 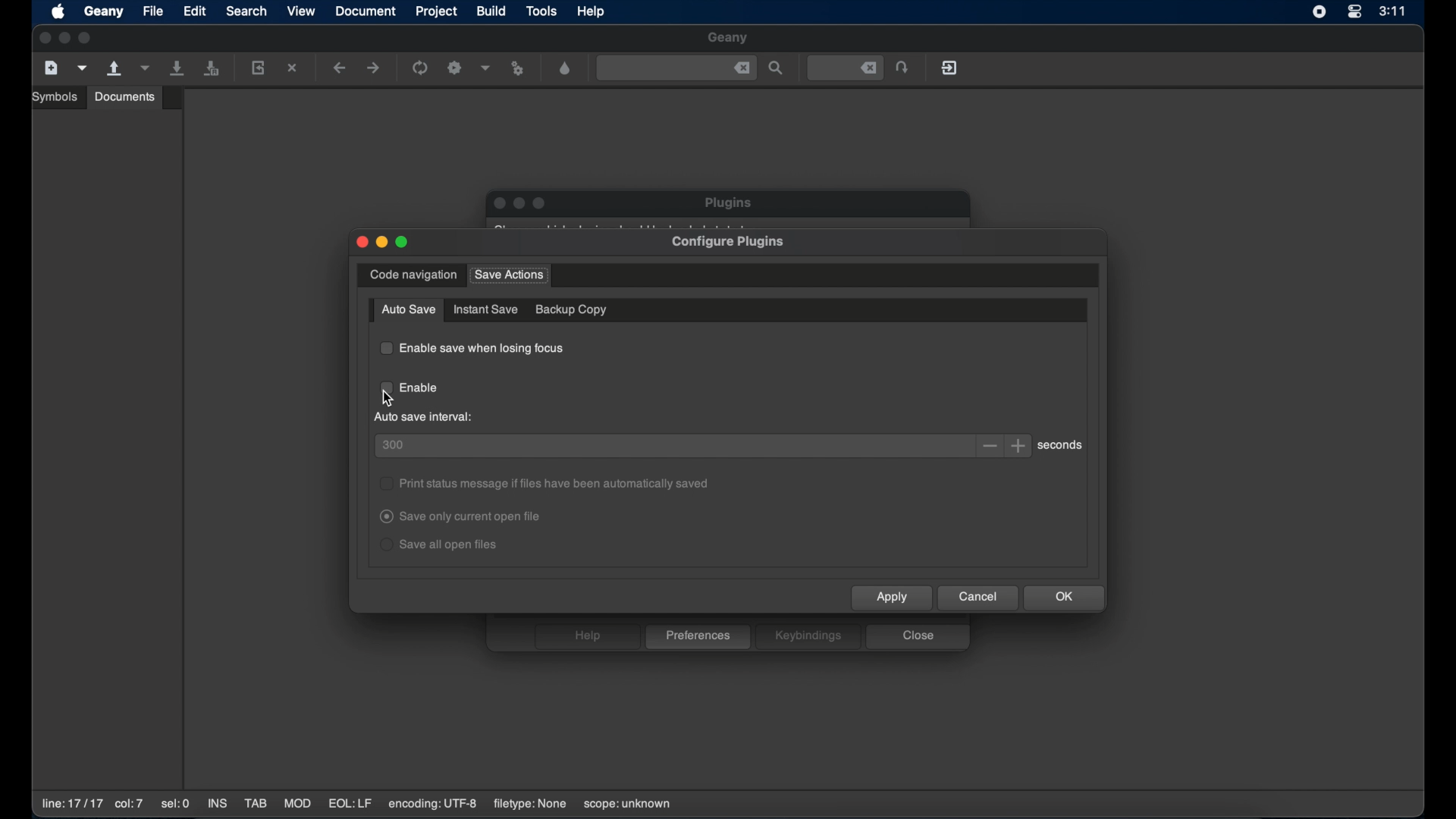 I want to click on enable save when losing focus, so click(x=472, y=348).